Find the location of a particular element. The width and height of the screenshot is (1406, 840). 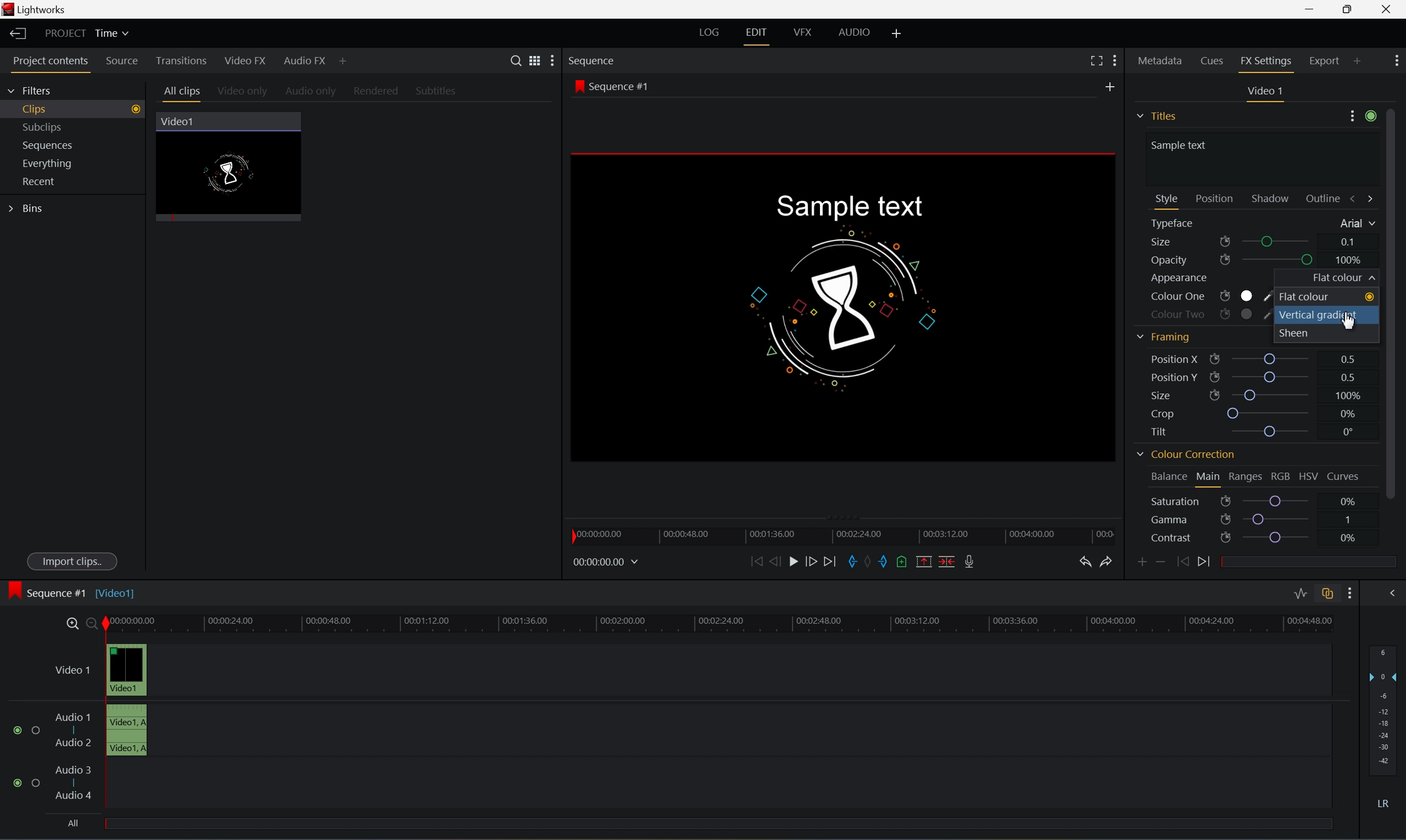

tilt is located at coordinates (1165, 431).